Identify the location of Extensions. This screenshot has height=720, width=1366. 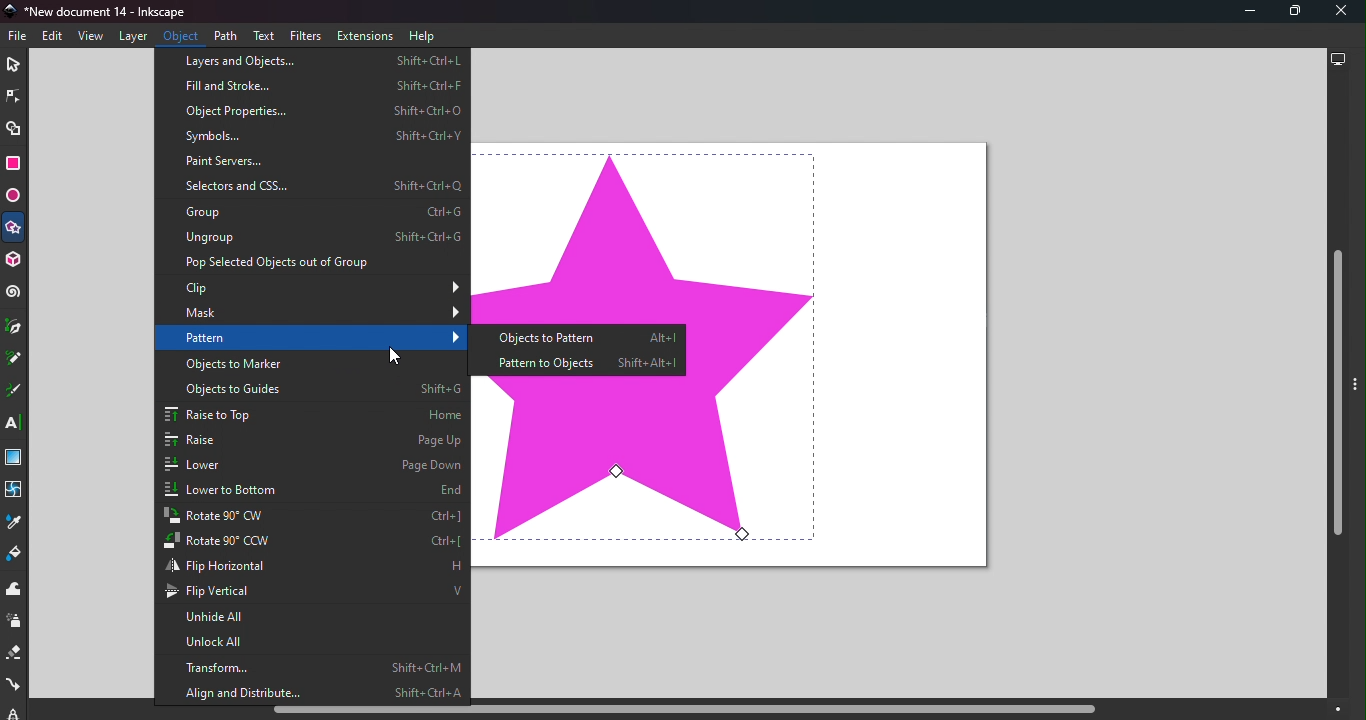
(369, 36).